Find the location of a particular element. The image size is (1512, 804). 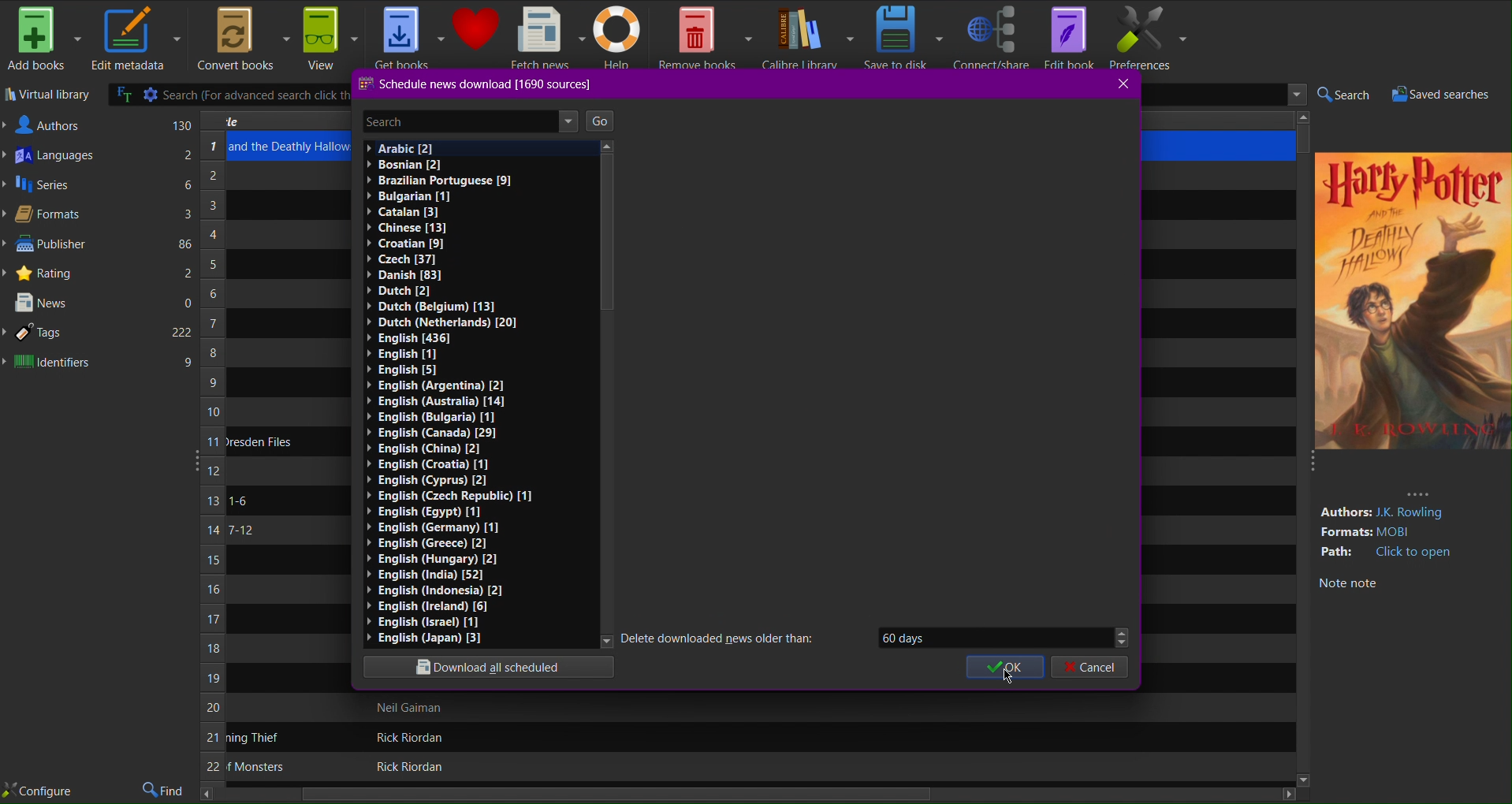

Languages is located at coordinates (99, 158).